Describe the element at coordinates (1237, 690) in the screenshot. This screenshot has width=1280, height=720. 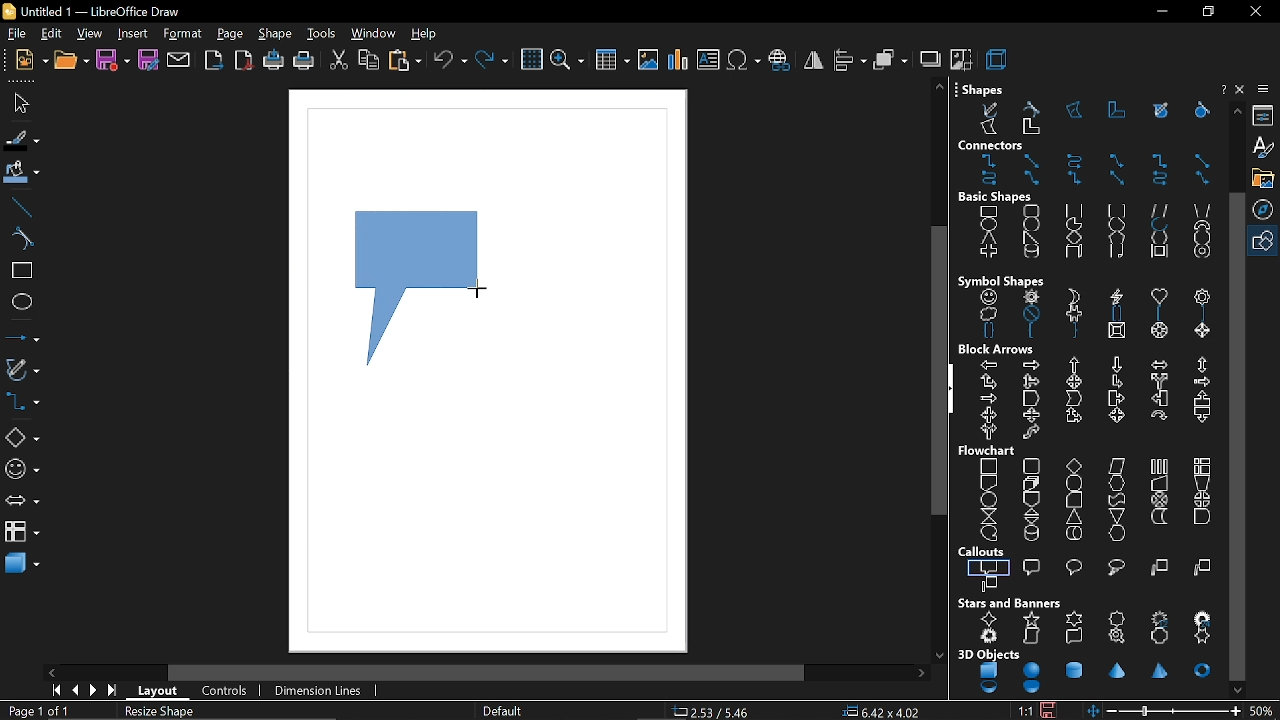
I see `move down` at that location.